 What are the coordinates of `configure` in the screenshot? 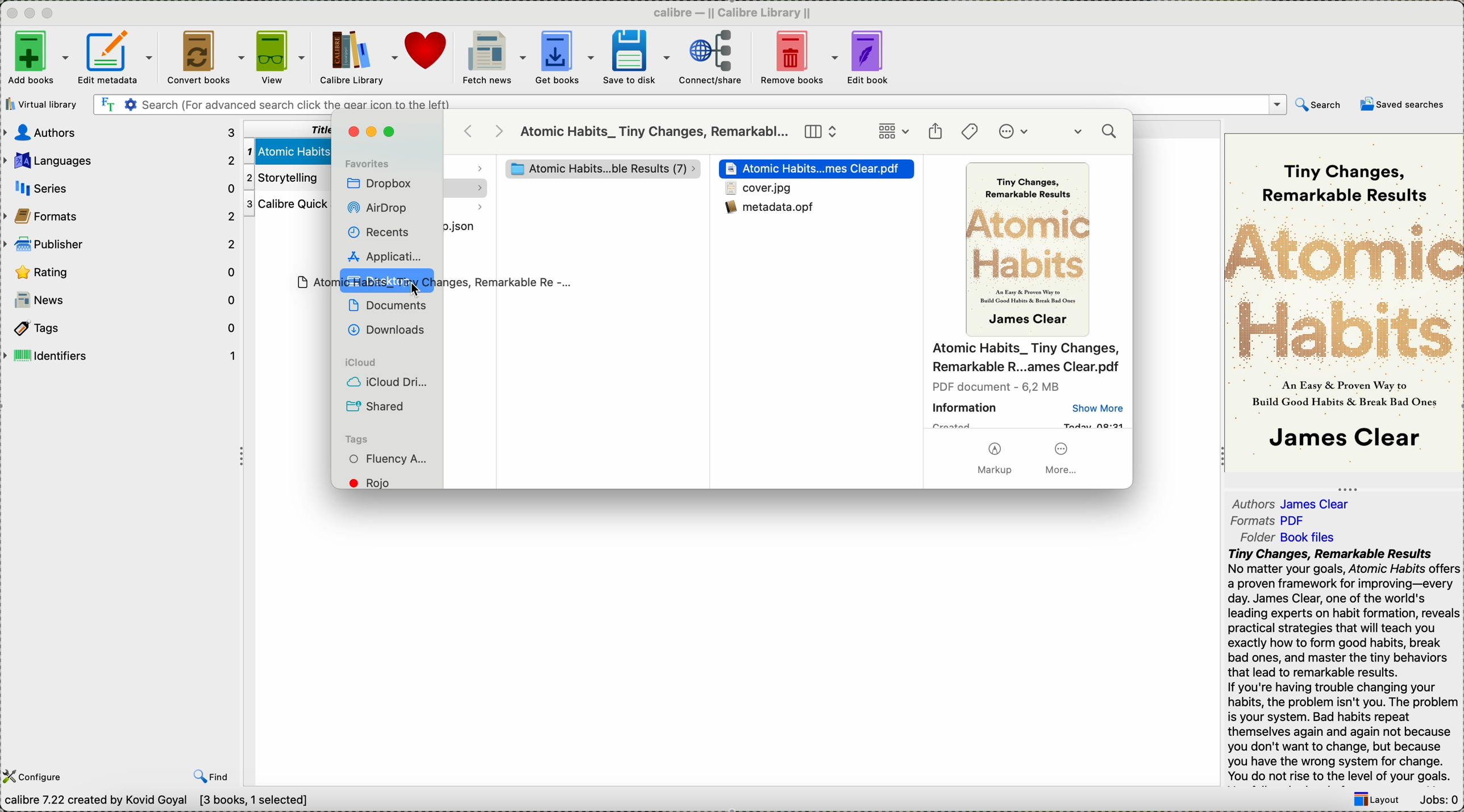 It's located at (36, 777).